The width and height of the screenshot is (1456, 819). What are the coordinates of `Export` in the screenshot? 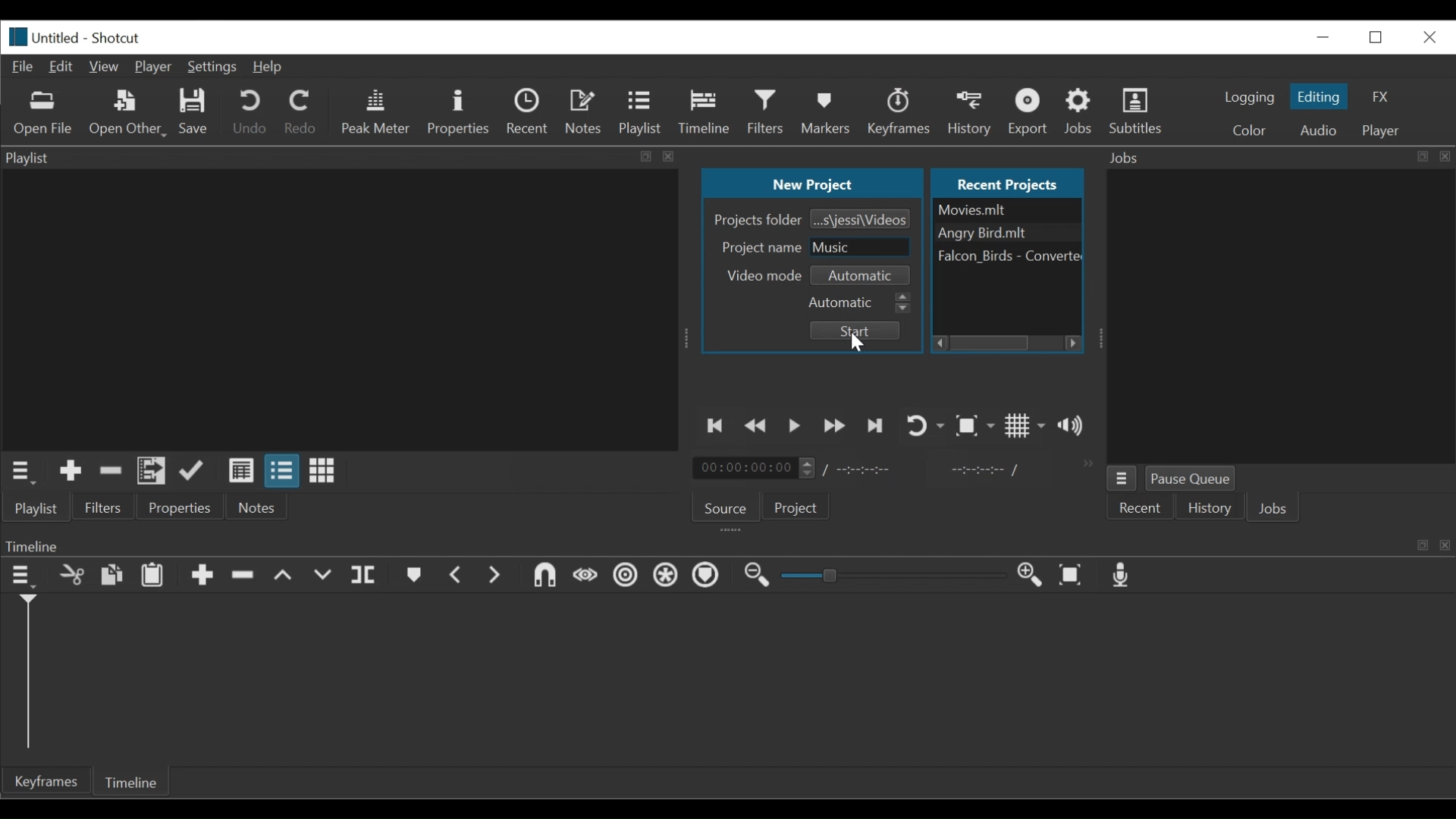 It's located at (1028, 112).